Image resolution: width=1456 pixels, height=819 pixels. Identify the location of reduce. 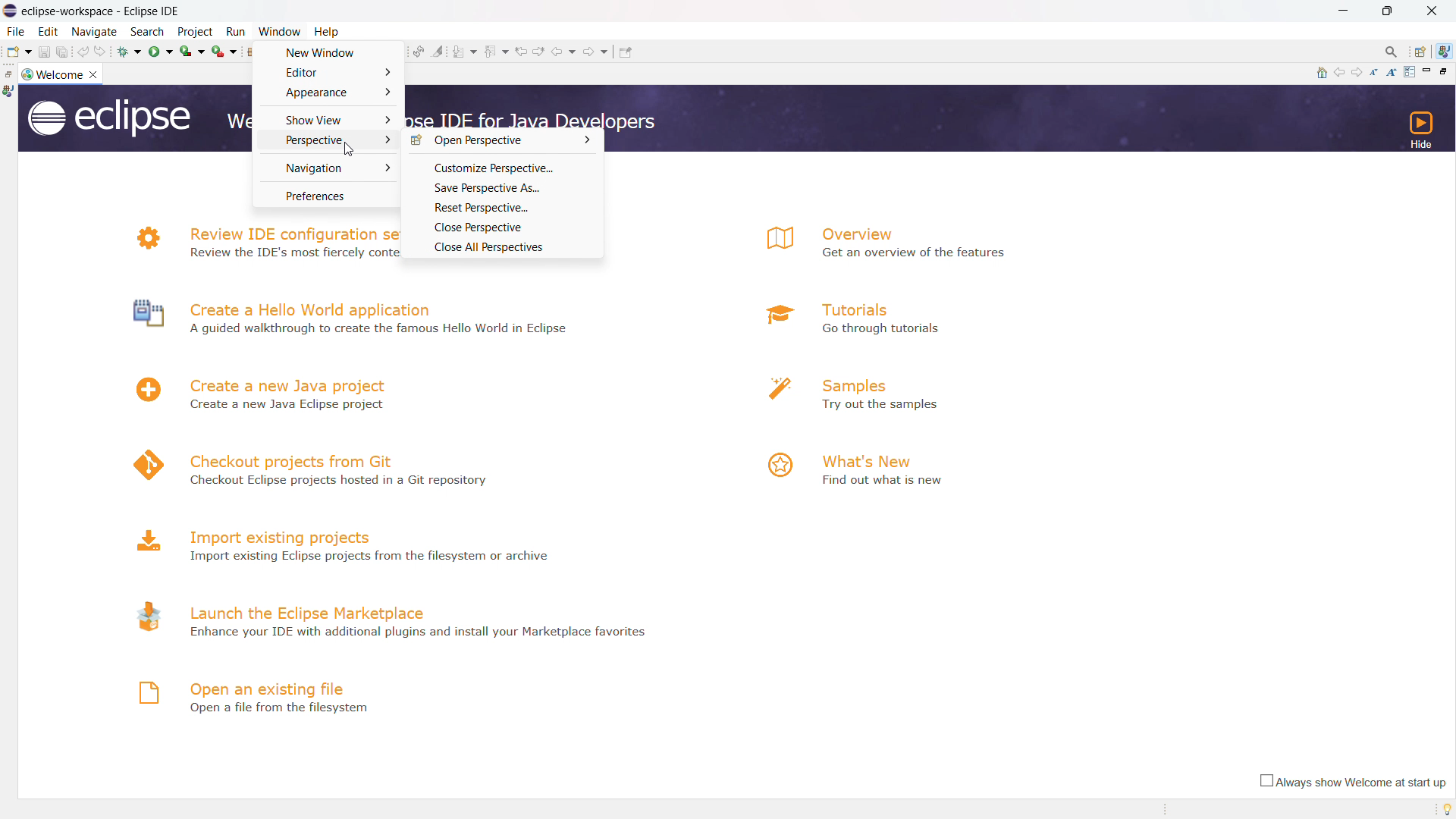
(1376, 72).